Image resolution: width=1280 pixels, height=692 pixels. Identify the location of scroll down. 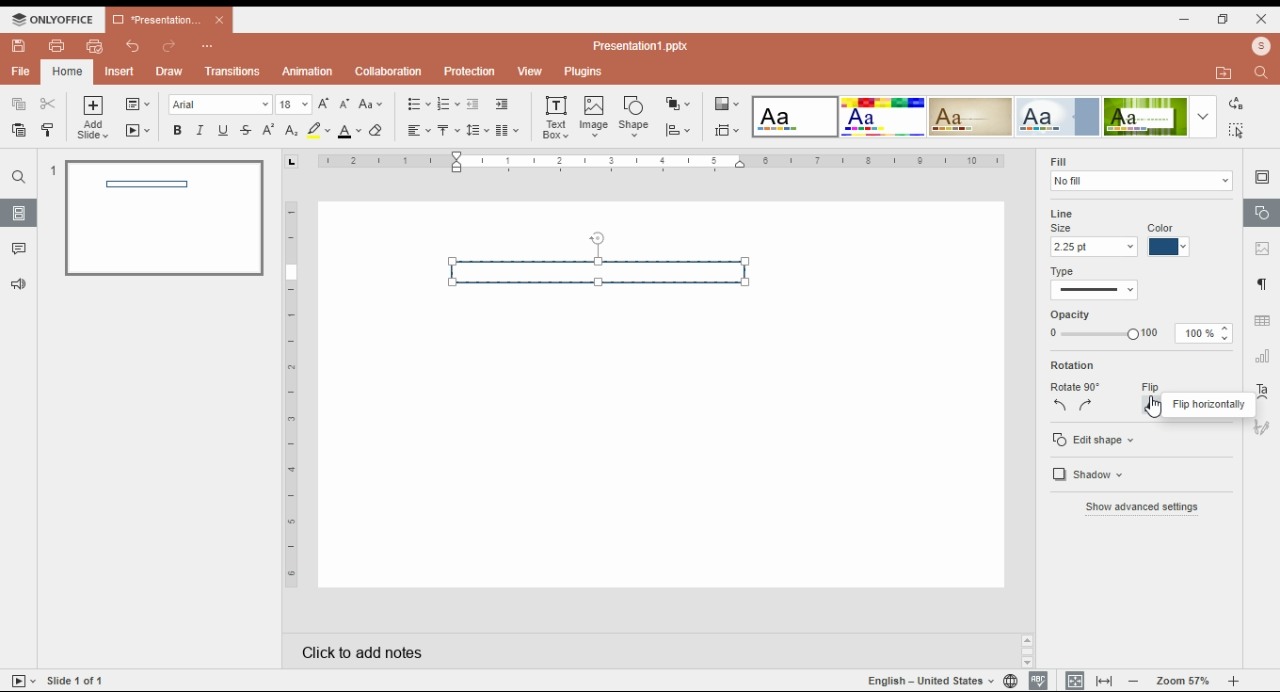
(1028, 663).